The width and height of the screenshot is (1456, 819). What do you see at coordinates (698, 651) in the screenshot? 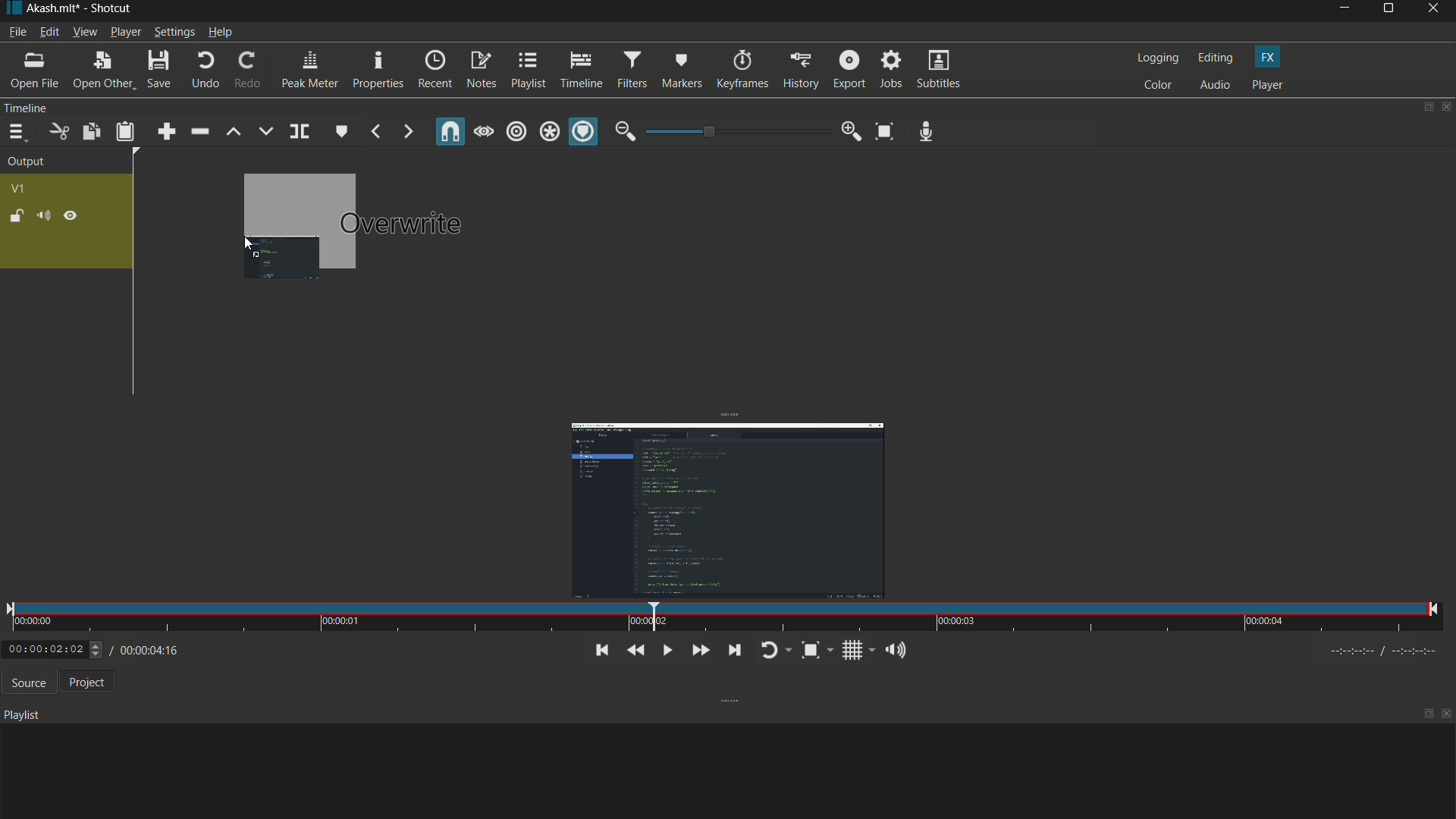
I see `quickly play forward` at bounding box center [698, 651].